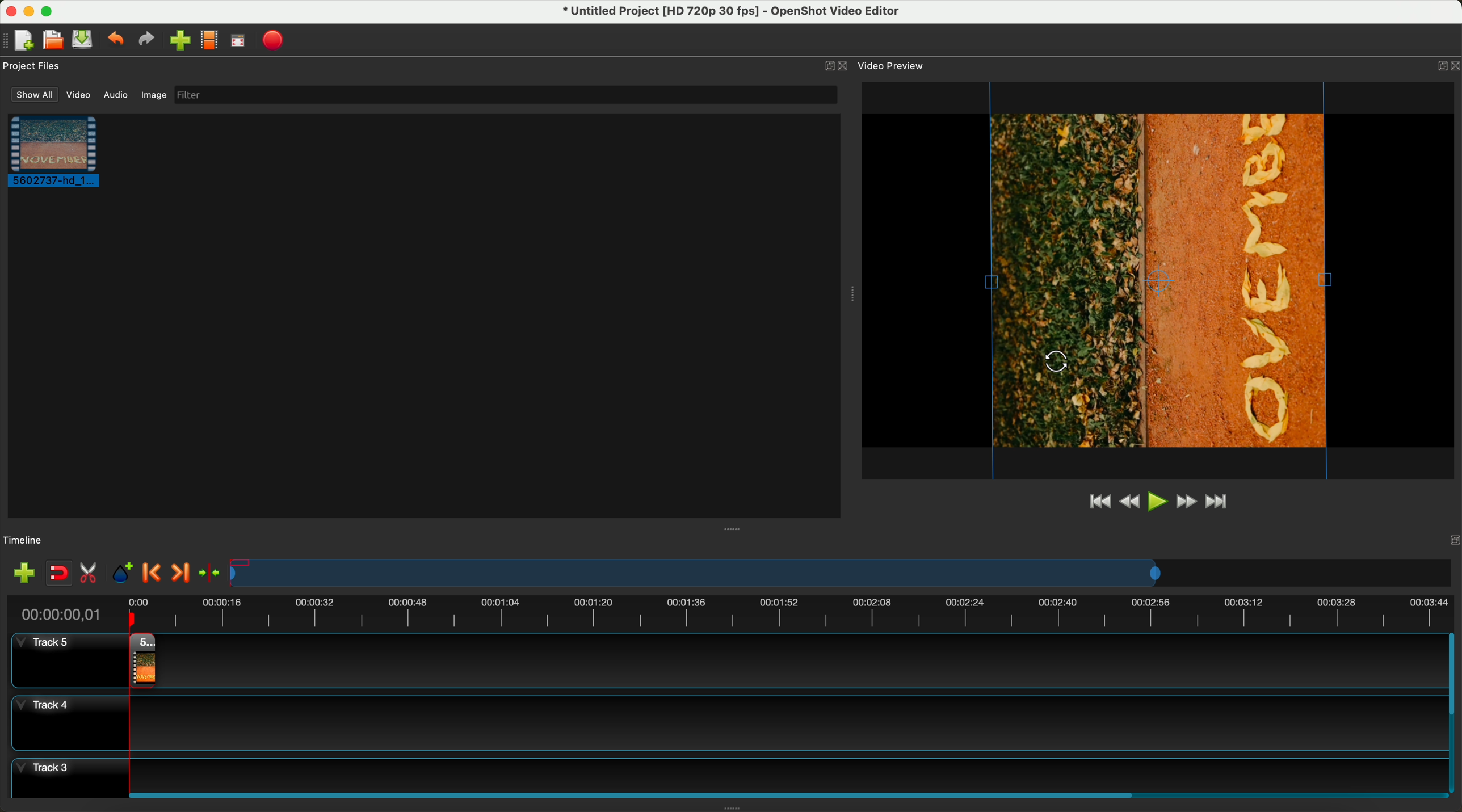 The width and height of the screenshot is (1462, 812). Describe the element at coordinates (146, 40) in the screenshot. I see `redo` at that location.